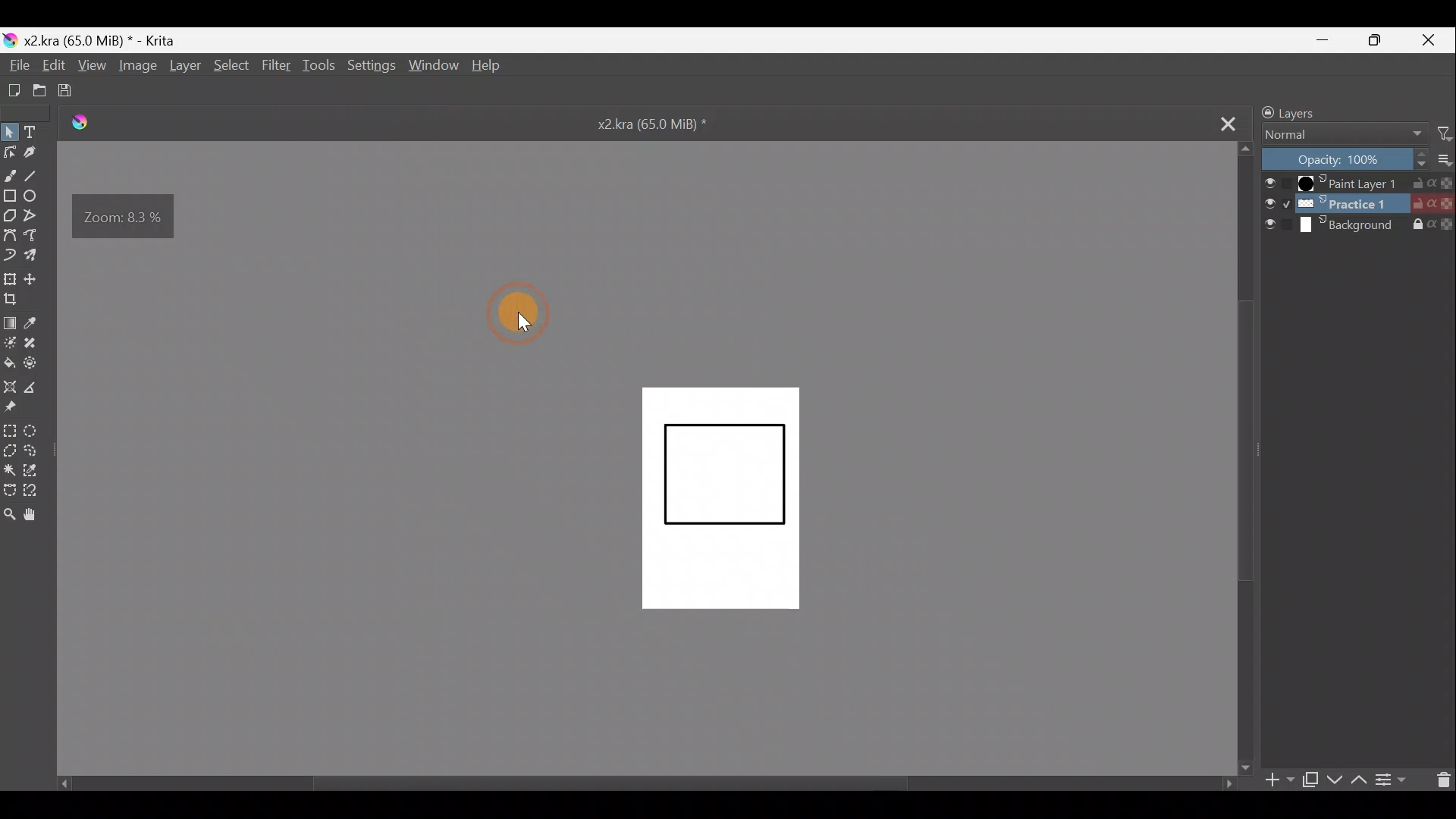 The image size is (1456, 819). I want to click on Sample a colour, so click(39, 323).